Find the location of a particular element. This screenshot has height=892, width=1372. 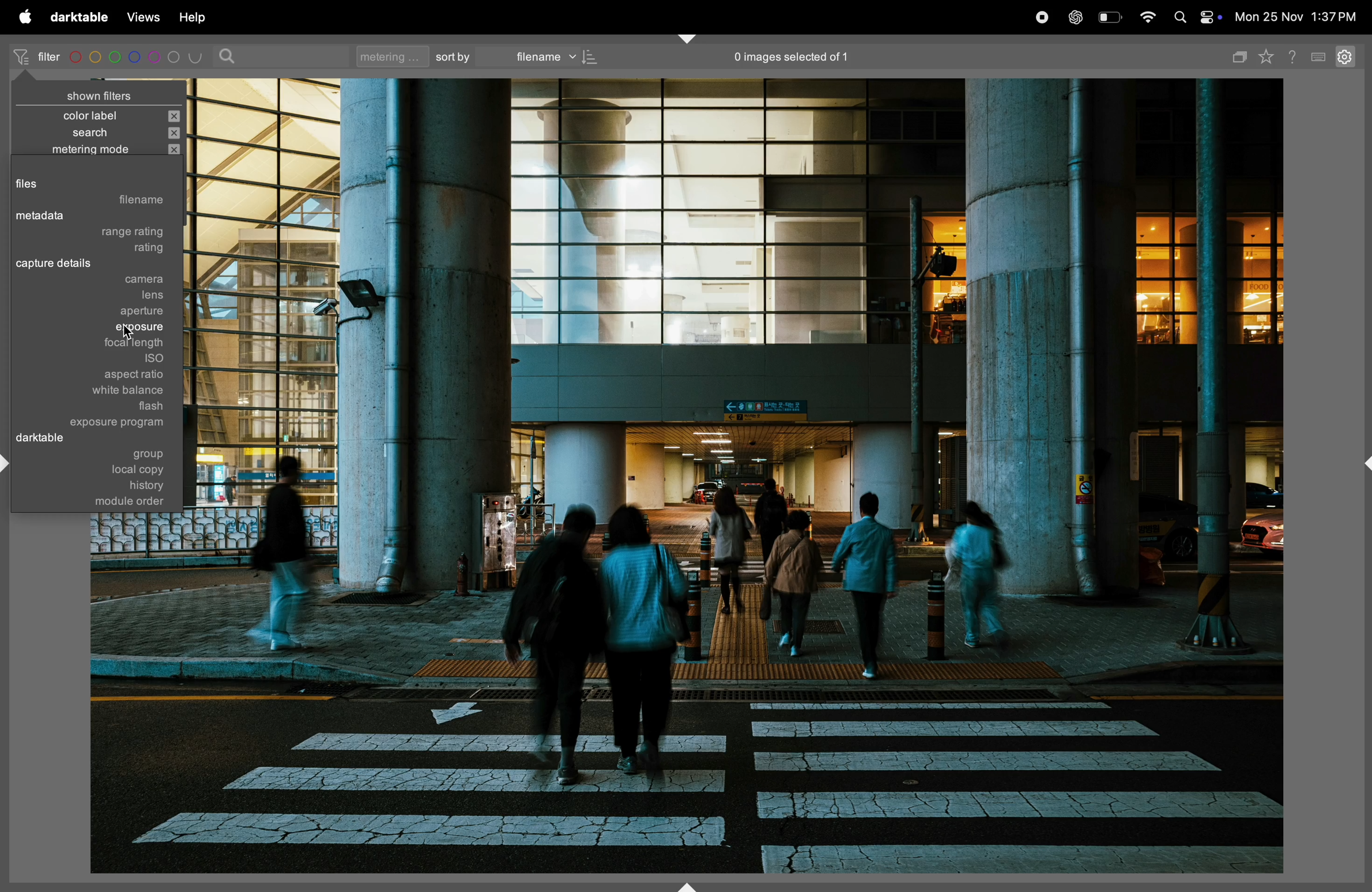

rating is located at coordinates (104, 250).